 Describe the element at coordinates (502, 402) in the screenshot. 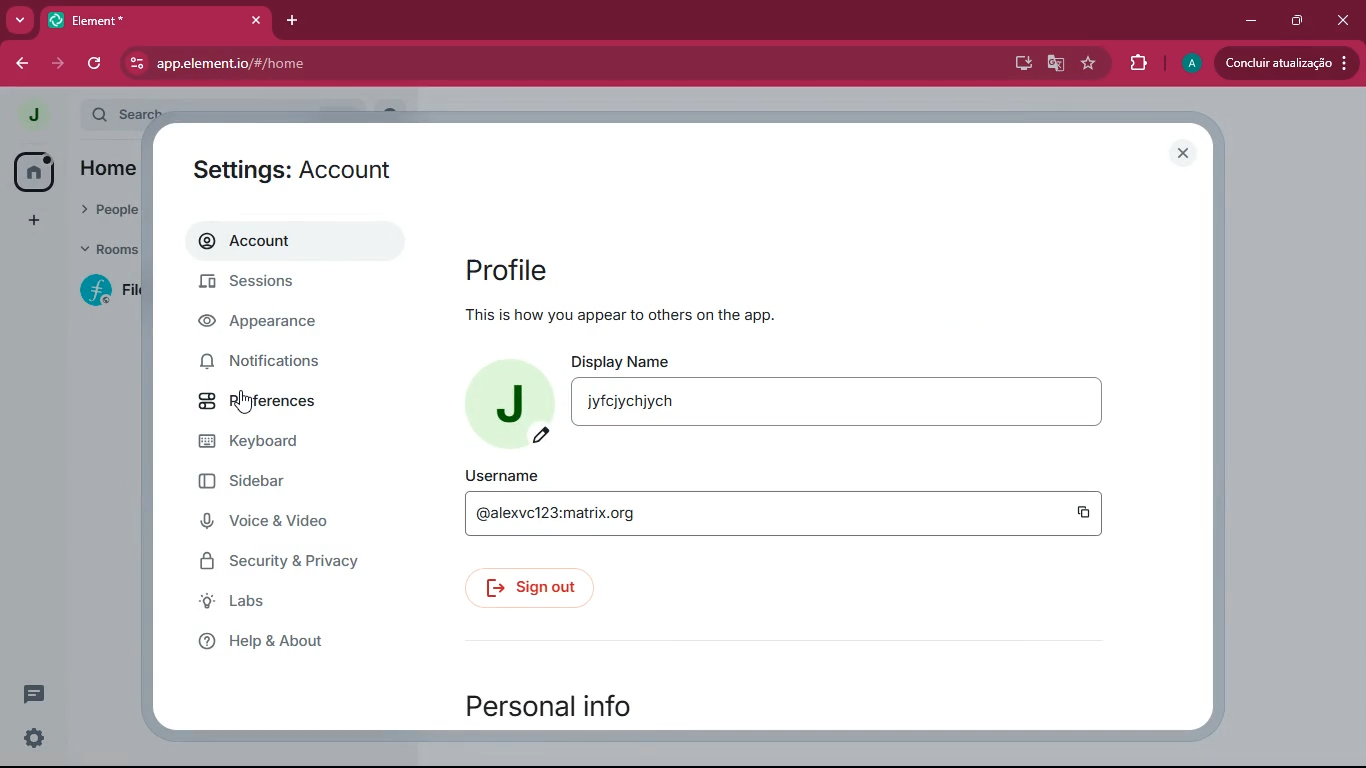

I see `profile picture` at that location.